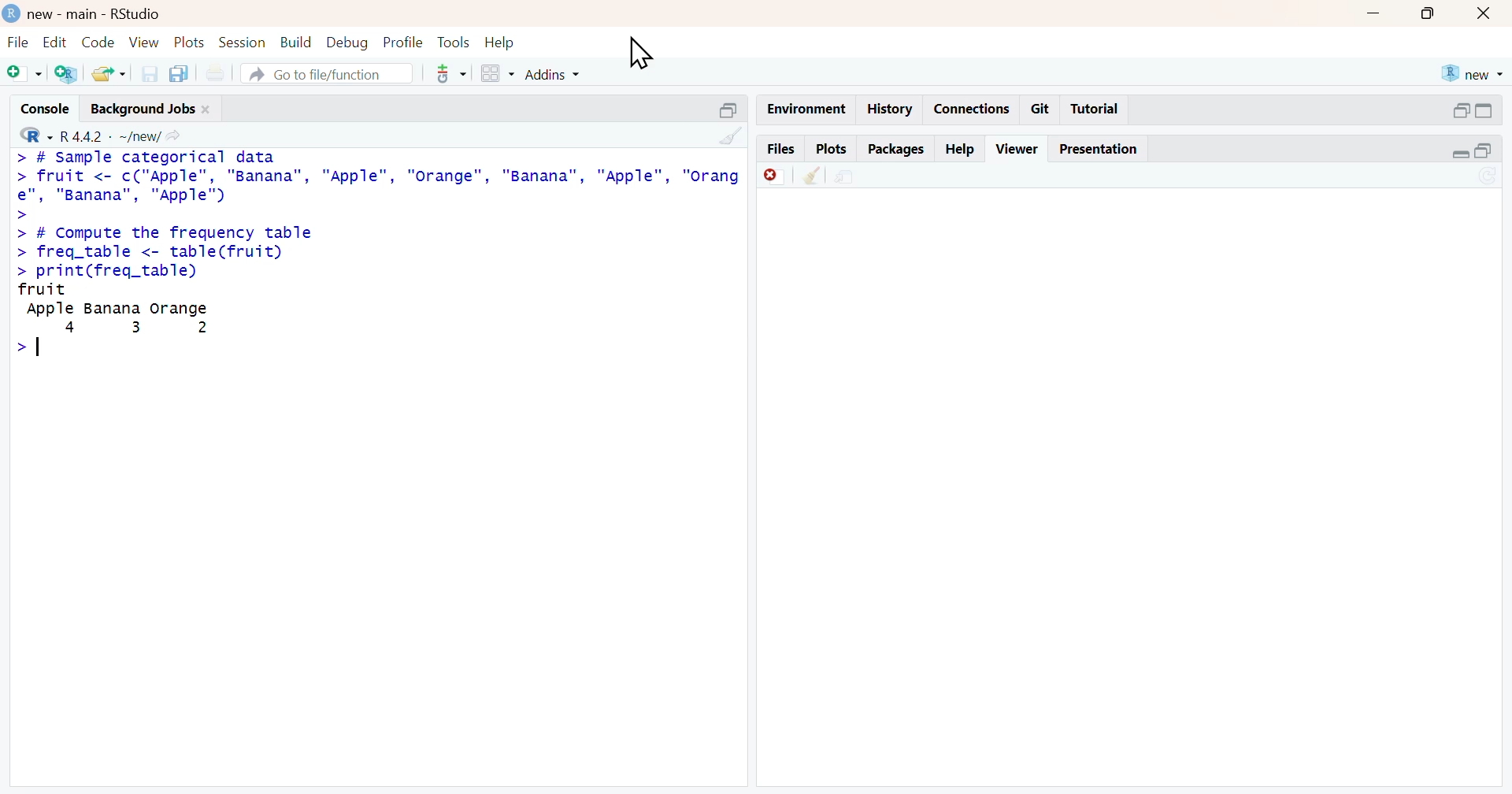 The image size is (1512, 794). What do you see at coordinates (152, 75) in the screenshot?
I see `save current document` at bounding box center [152, 75].